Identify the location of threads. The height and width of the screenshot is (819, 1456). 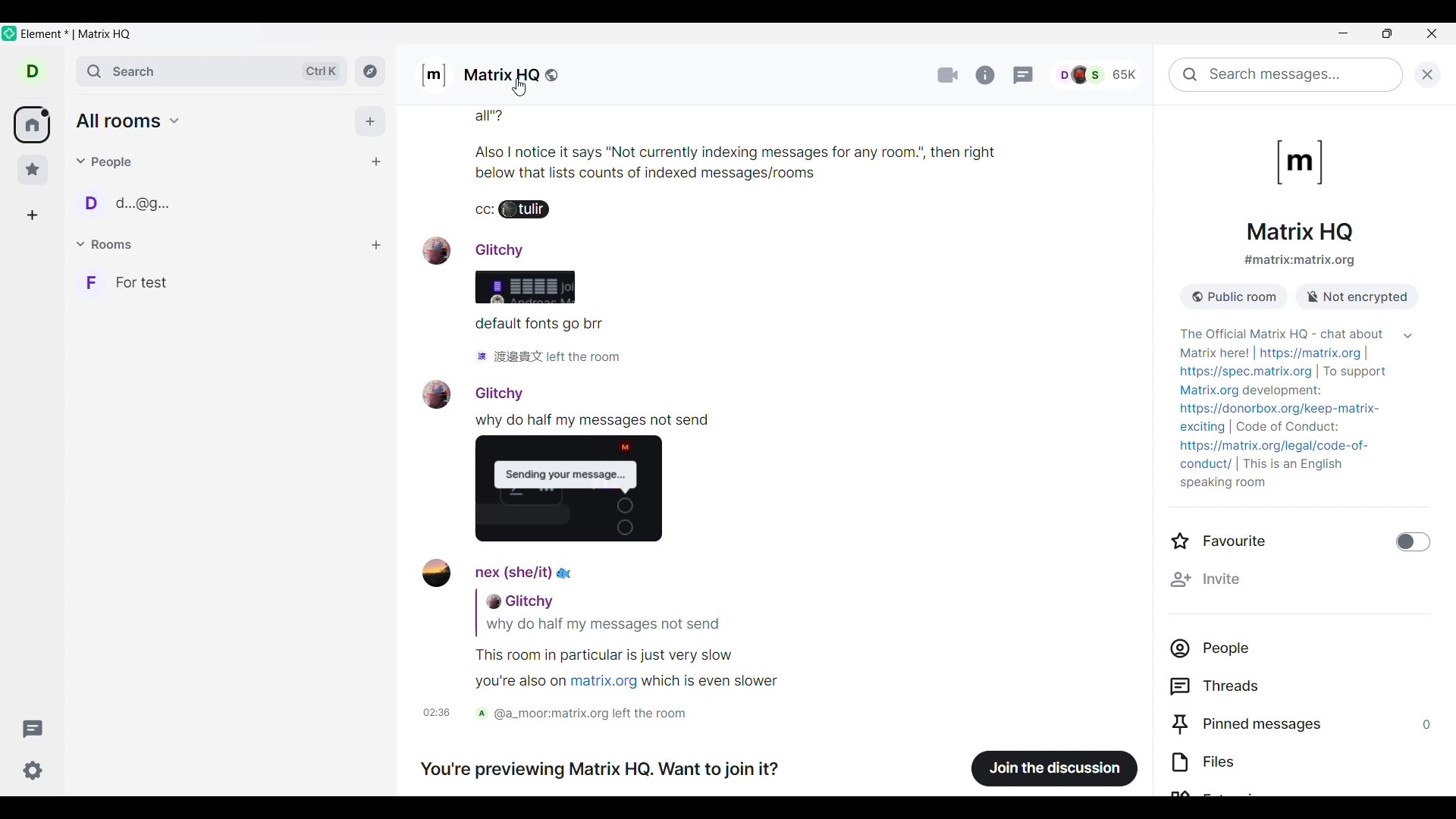
(1025, 75).